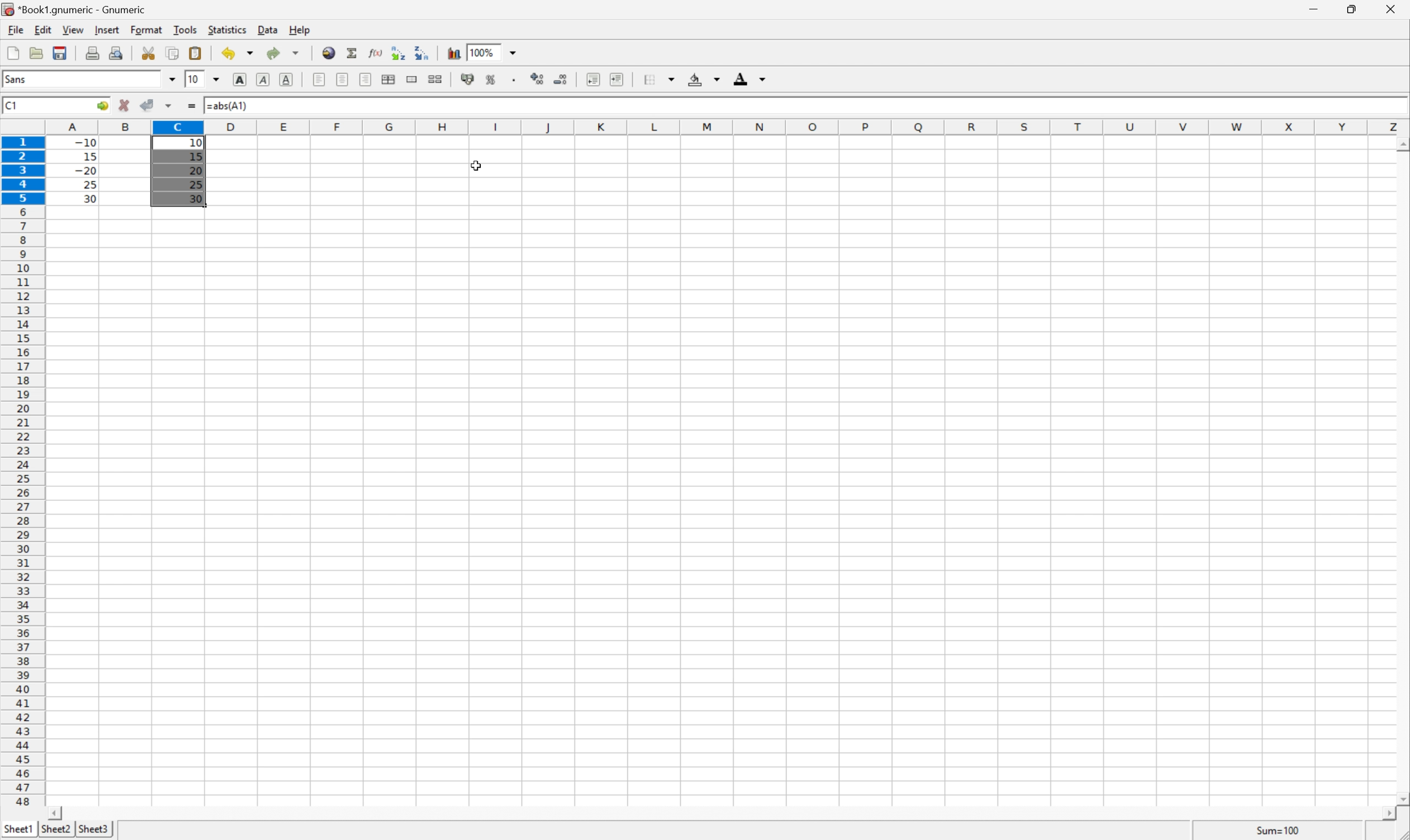 Image resolution: width=1410 pixels, height=840 pixels. What do you see at coordinates (740, 81) in the screenshot?
I see `Foreground` at bounding box center [740, 81].